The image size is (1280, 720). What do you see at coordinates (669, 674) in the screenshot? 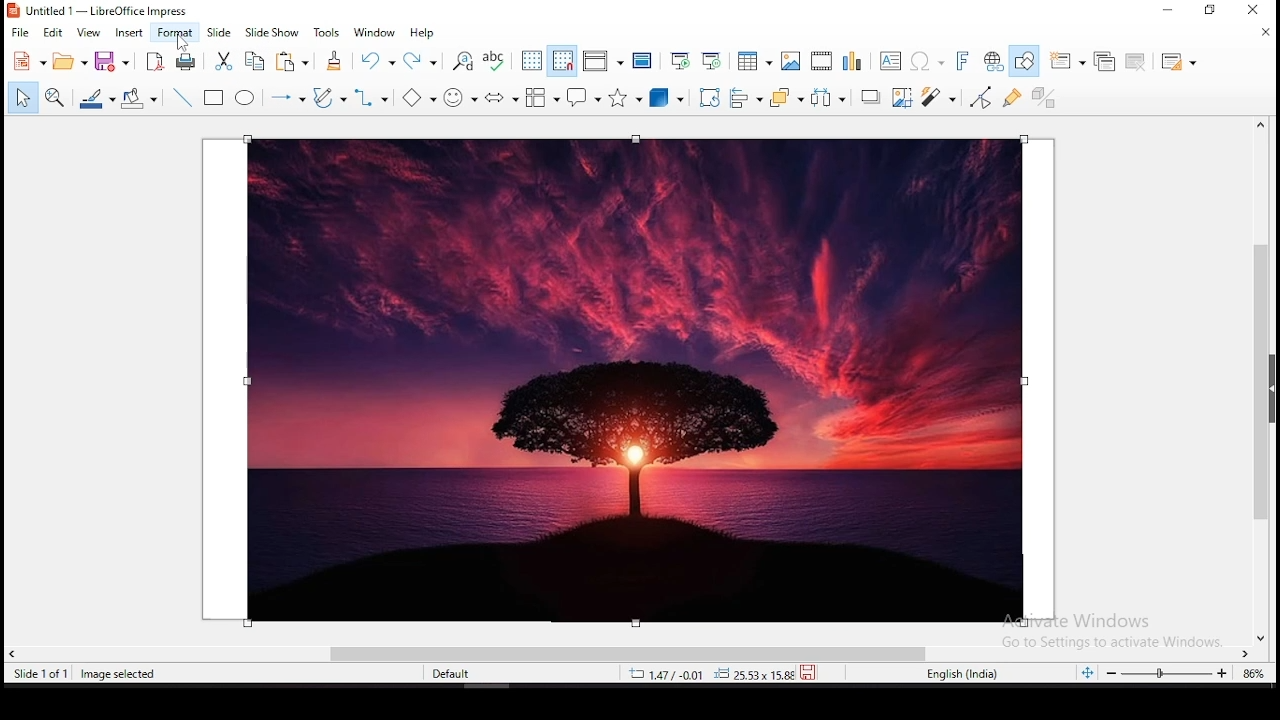
I see `12.40/4.25` at bounding box center [669, 674].